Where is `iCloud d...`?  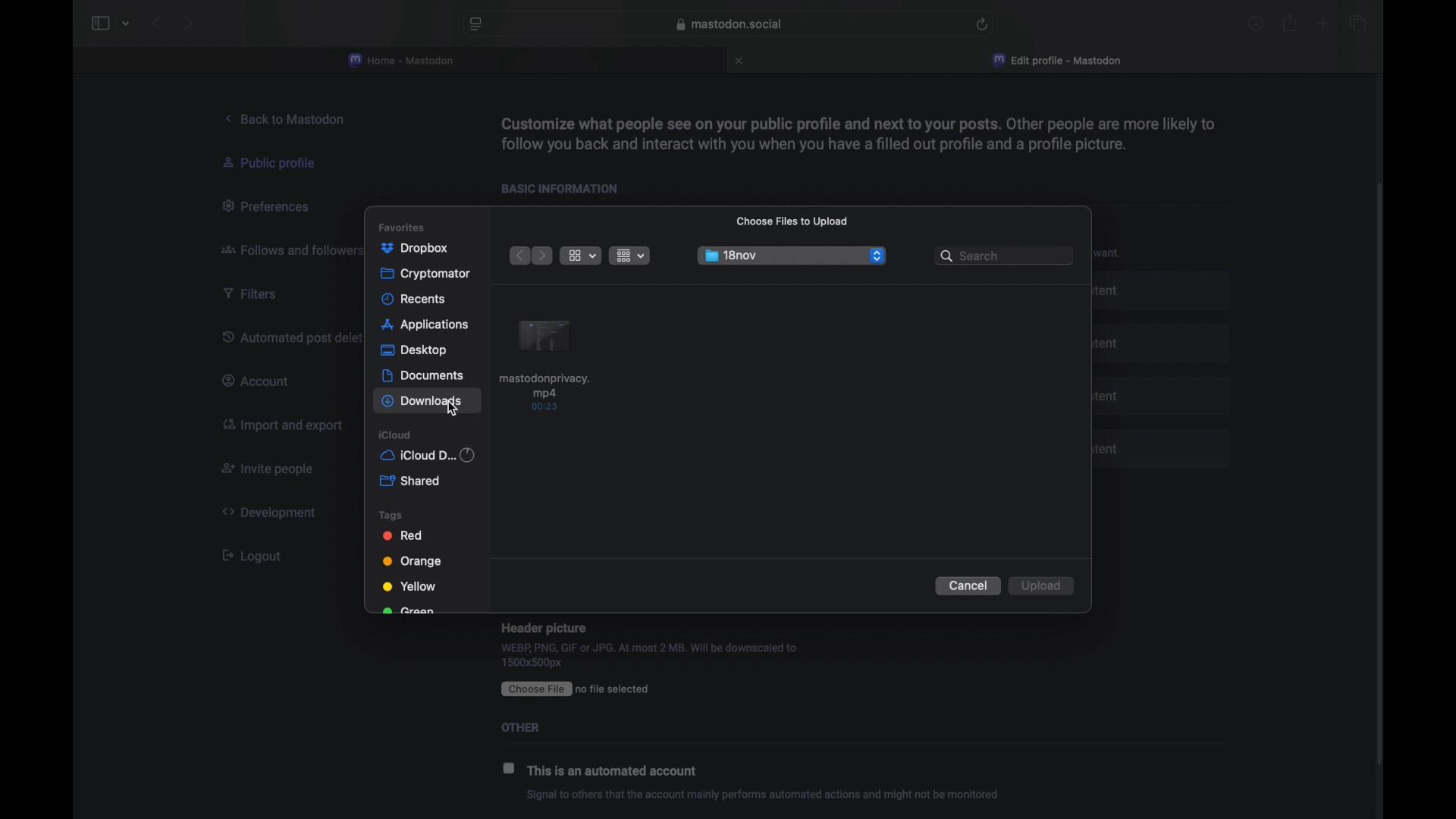 iCloud d... is located at coordinates (428, 455).